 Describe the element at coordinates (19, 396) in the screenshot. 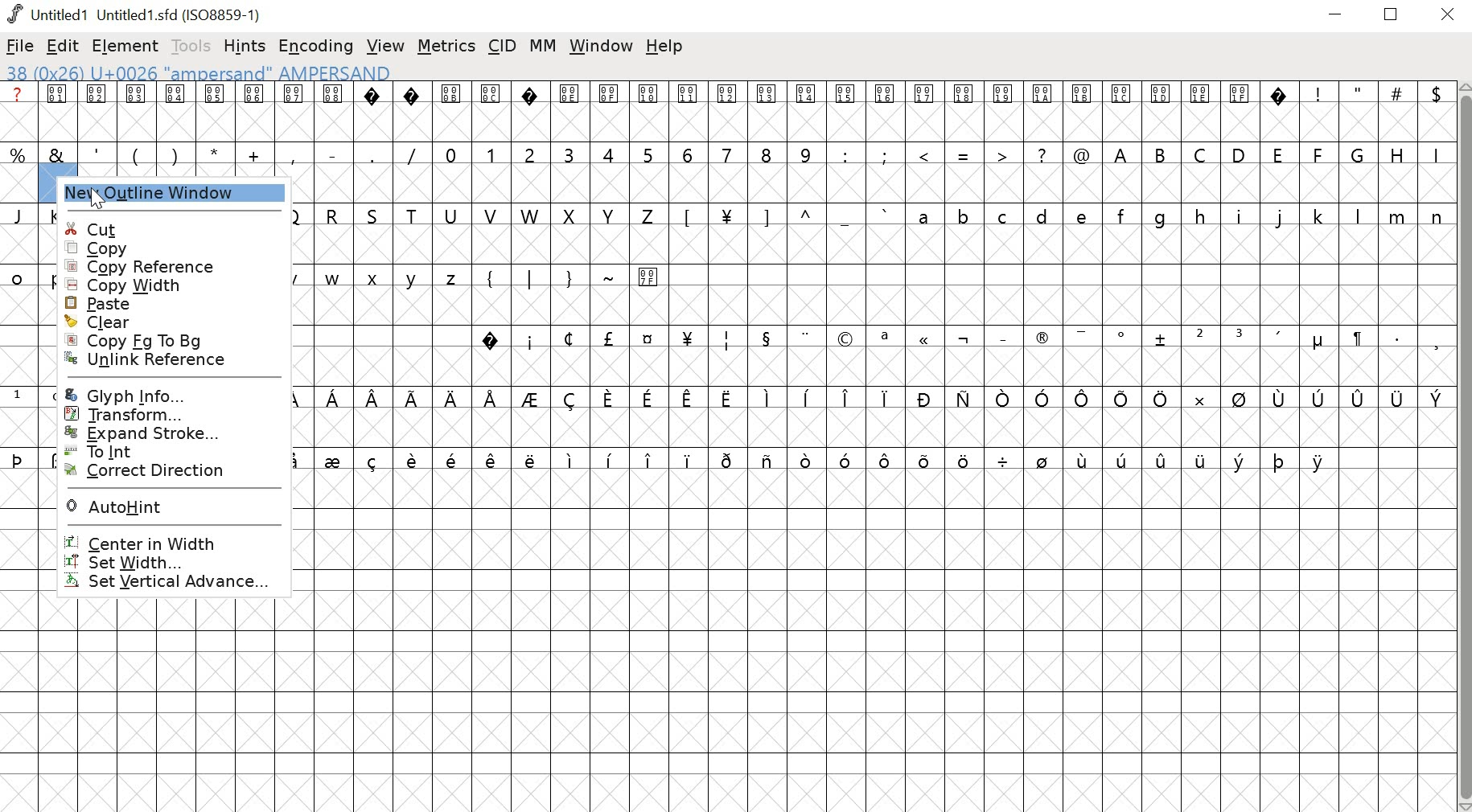

I see `1` at that location.